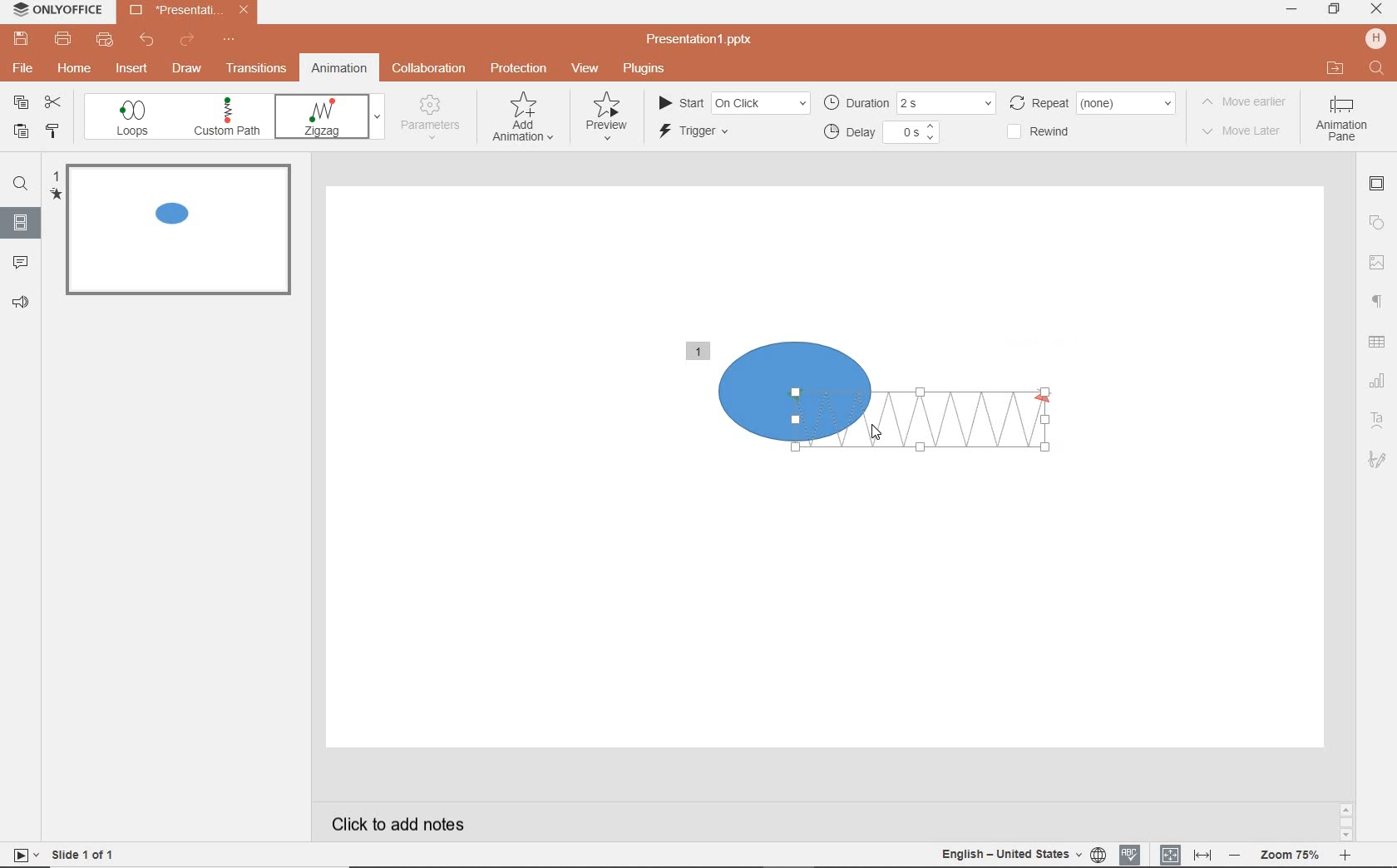 This screenshot has height=868, width=1397. I want to click on animation, so click(338, 67).